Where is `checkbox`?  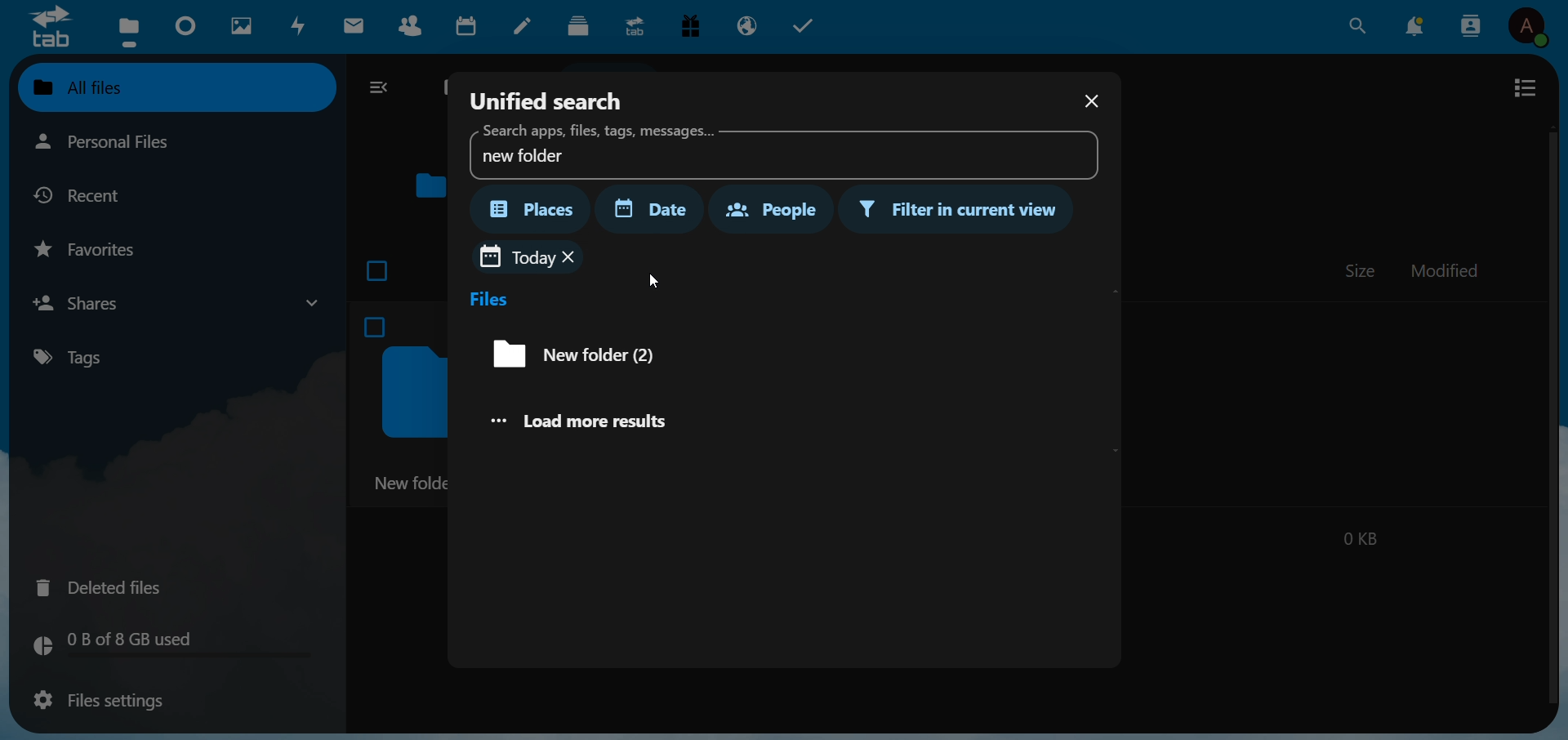 checkbox is located at coordinates (380, 330).